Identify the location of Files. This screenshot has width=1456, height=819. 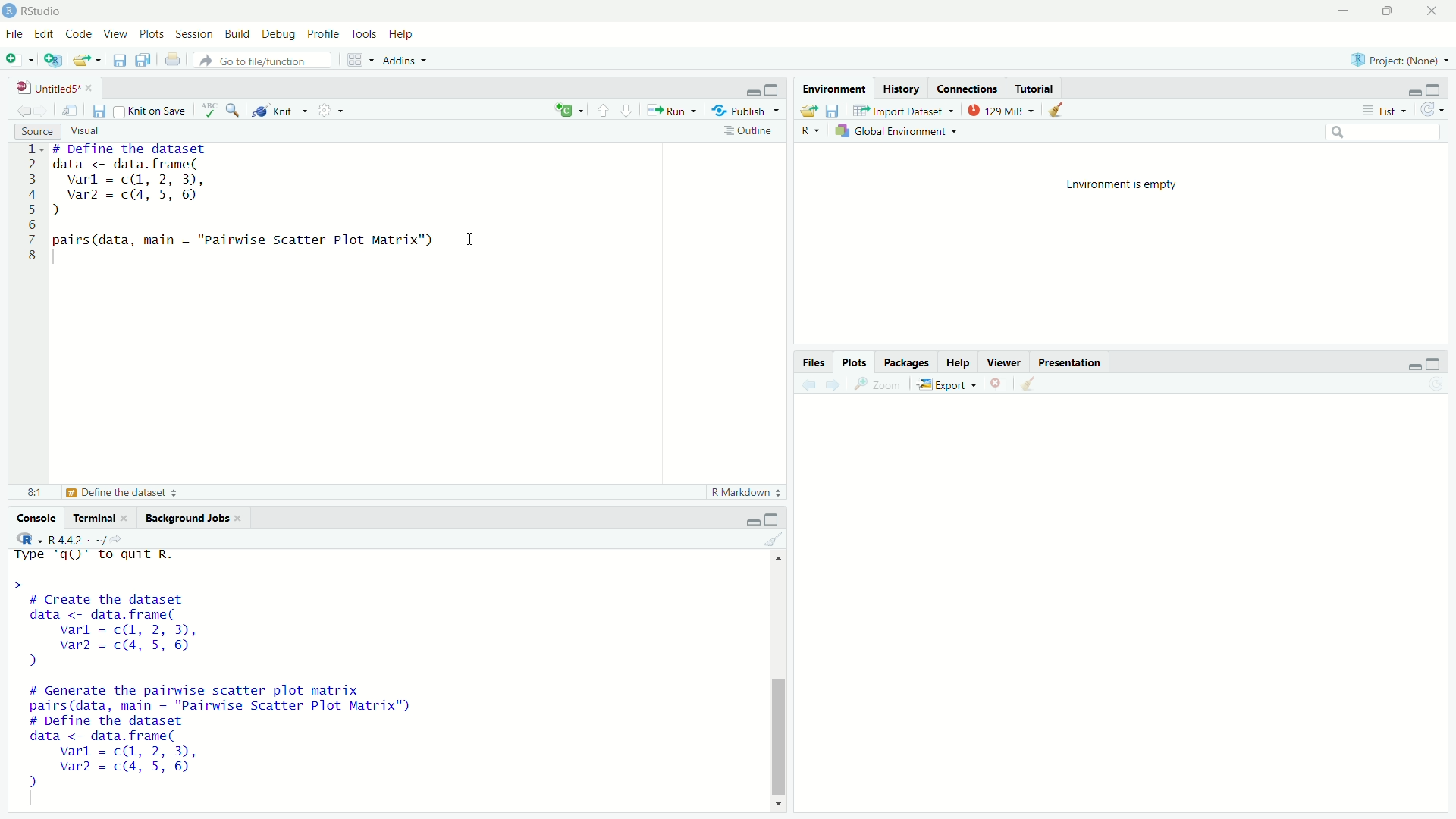
(814, 361).